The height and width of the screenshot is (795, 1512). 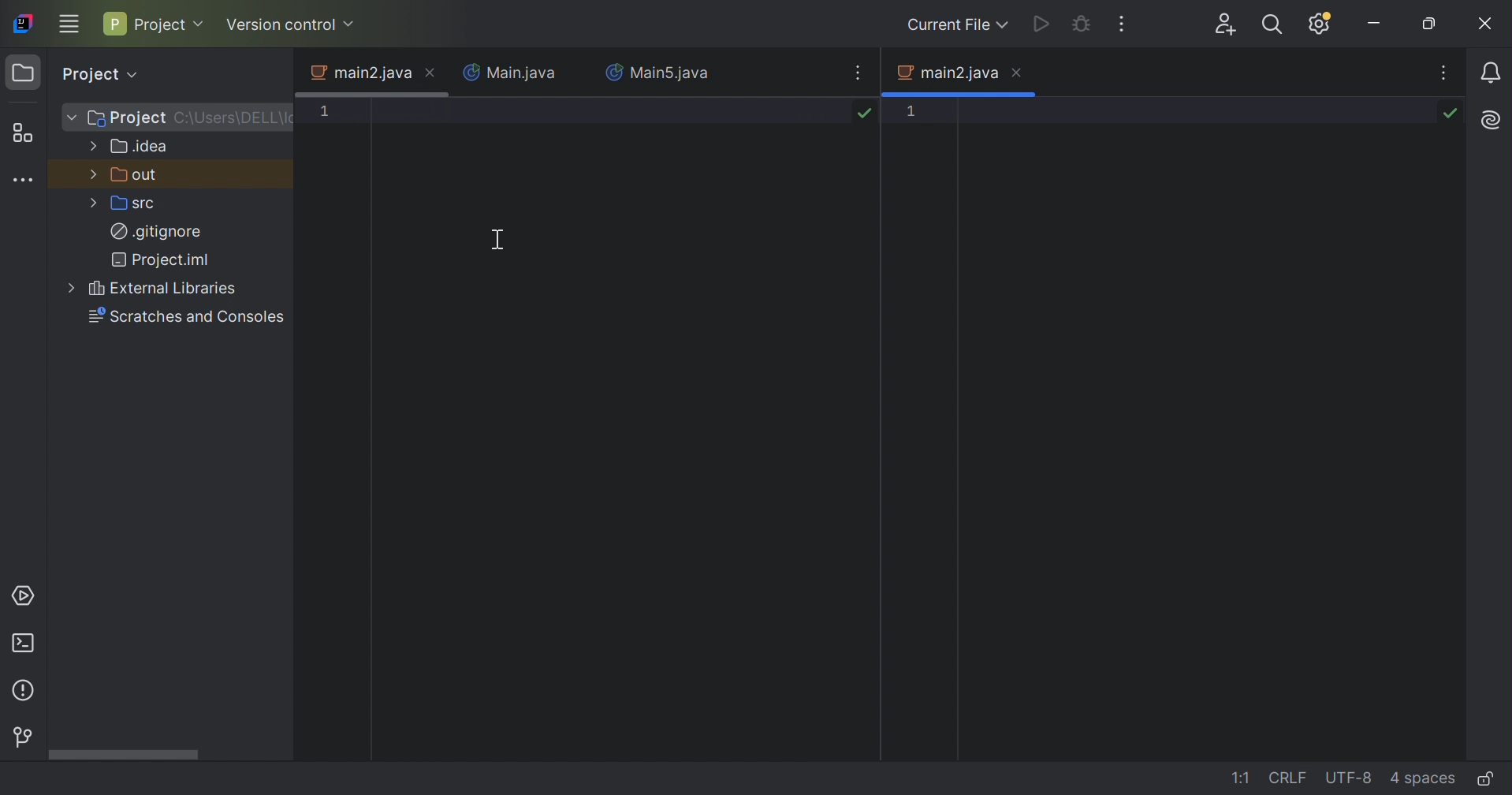 What do you see at coordinates (1292, 777) in the screenshot?
I see `CRLF` at bounding box center [1292, 777].